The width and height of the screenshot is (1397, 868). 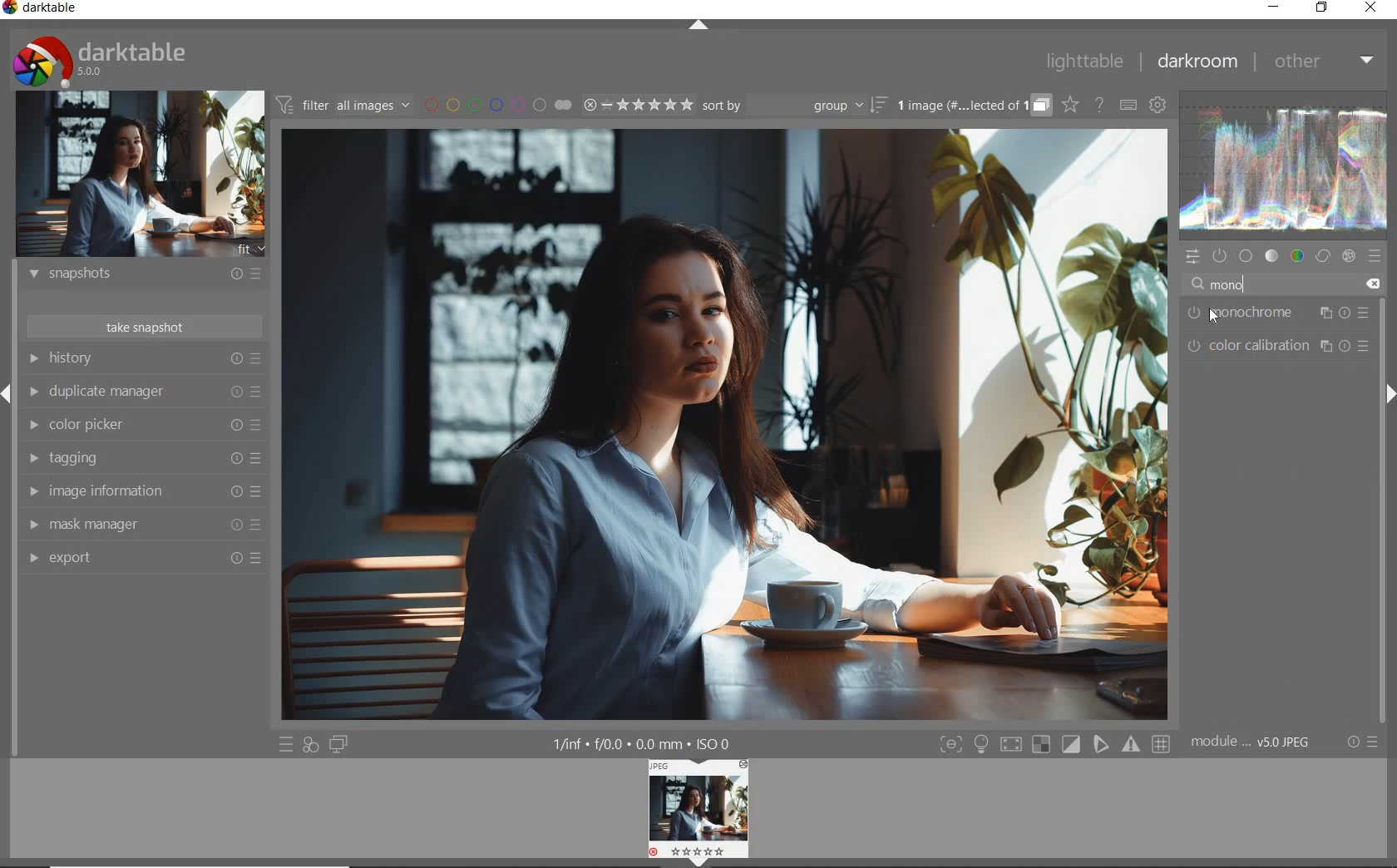 What do you see at coordinates (1322, 254) in the screenshot?
I see `correct` at bounding box center [1322, 254].